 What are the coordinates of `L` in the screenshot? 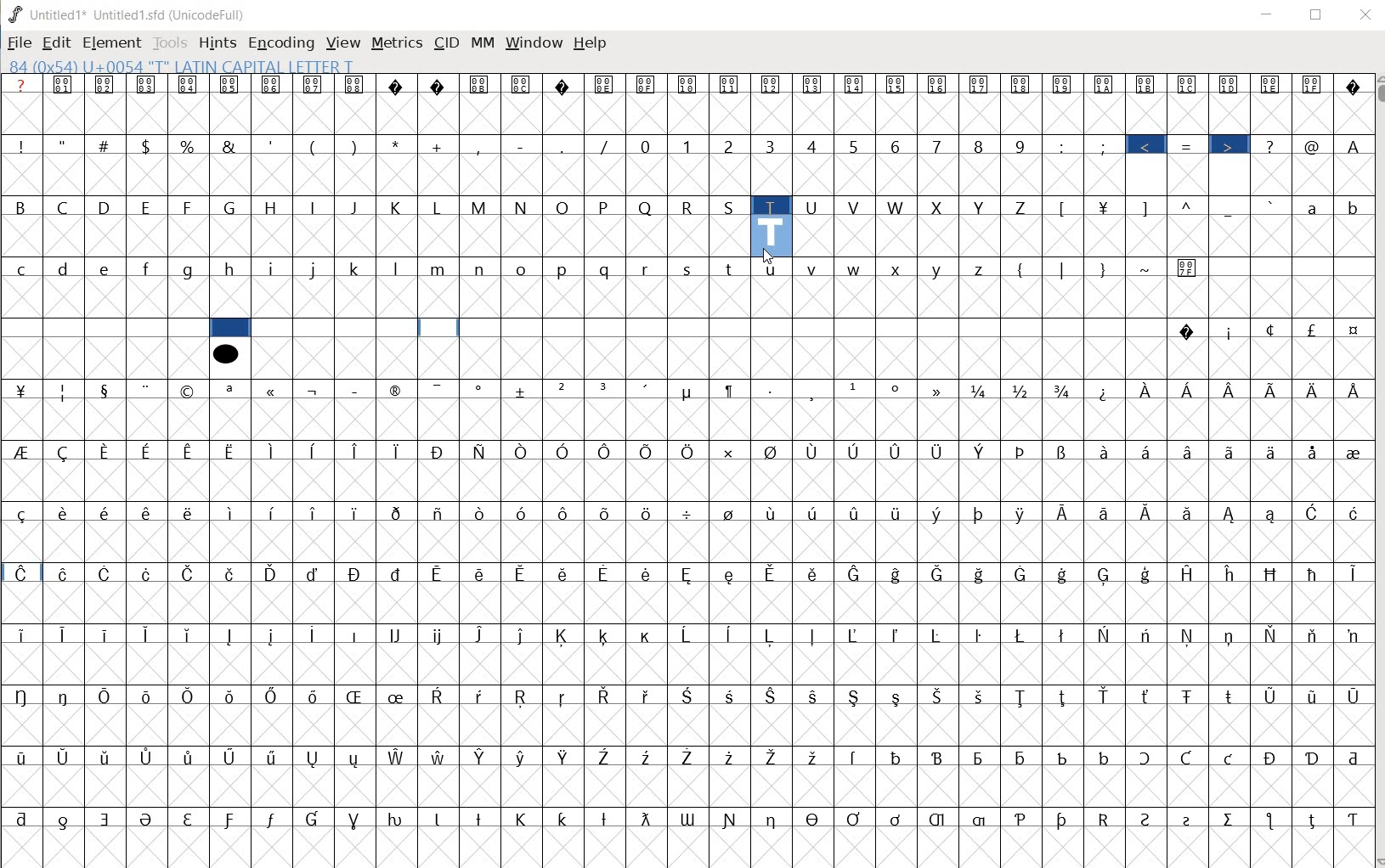 It's located at (440, 206).